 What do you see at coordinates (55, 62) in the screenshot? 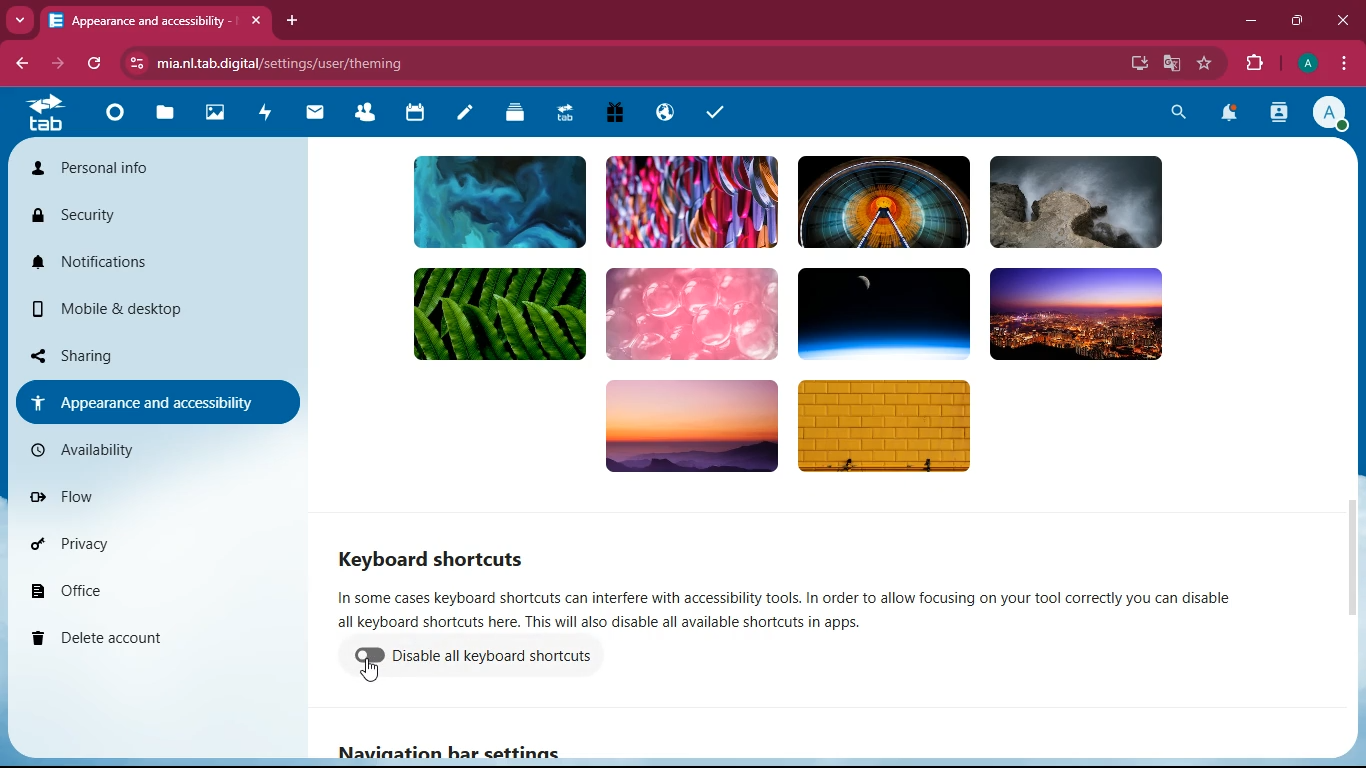
I see `forward` at bounding box center [55, 62].